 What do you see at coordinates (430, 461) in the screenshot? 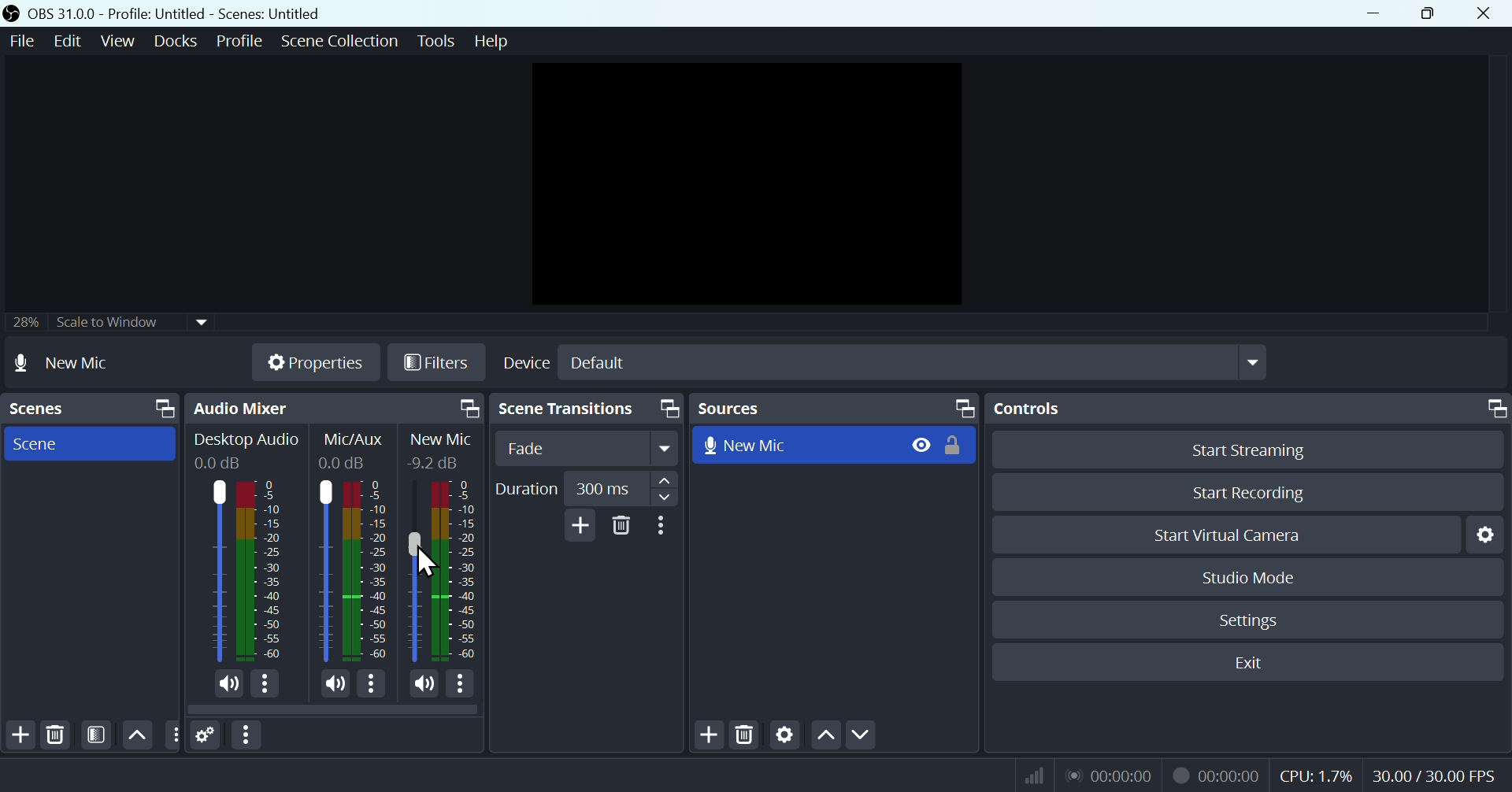
I see `0.0dB` at bounding box center [430, 461].